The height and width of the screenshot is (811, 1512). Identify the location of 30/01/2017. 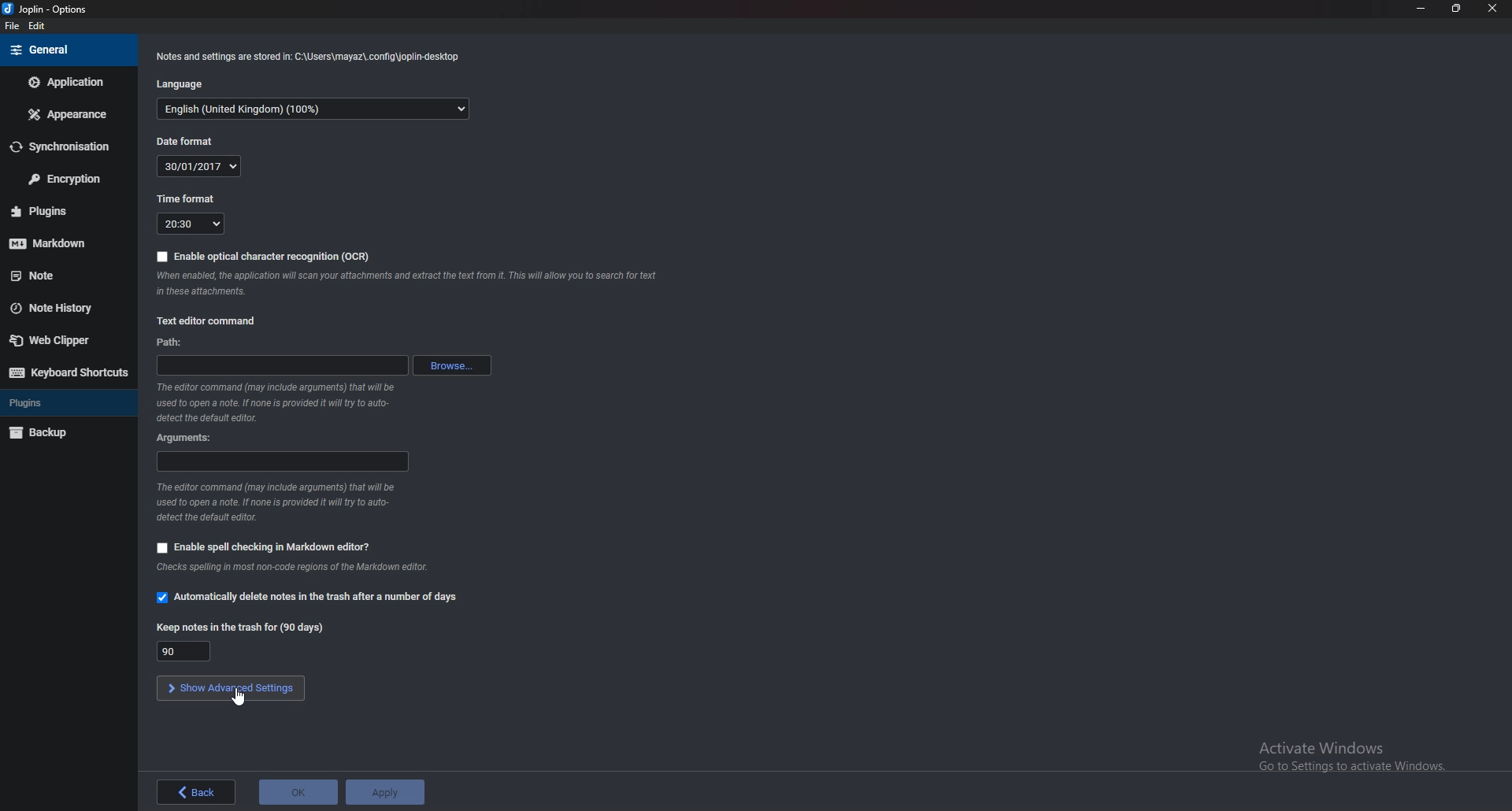
(200, 166).